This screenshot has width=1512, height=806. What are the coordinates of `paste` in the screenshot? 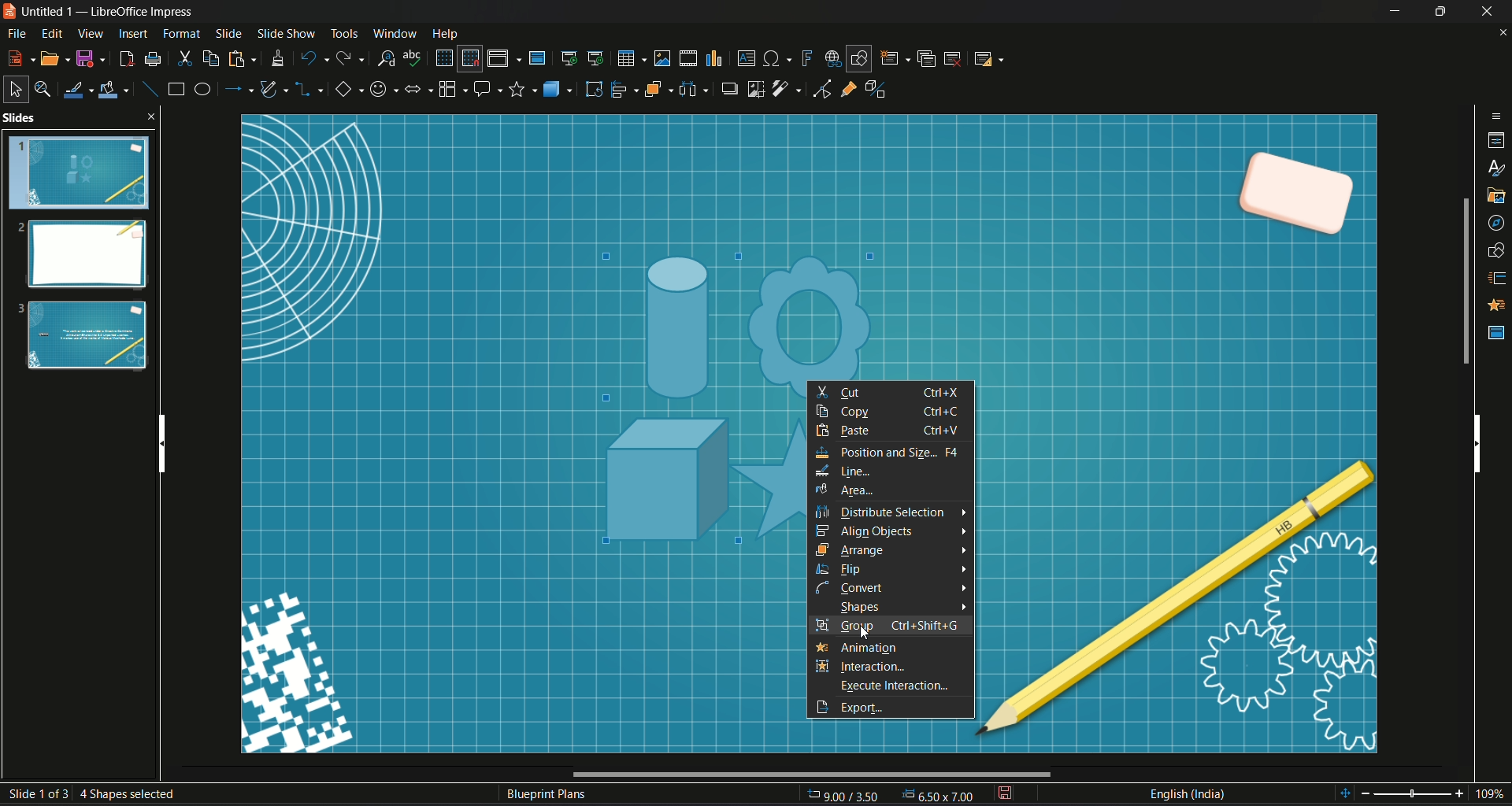 It's located at (239, 59).